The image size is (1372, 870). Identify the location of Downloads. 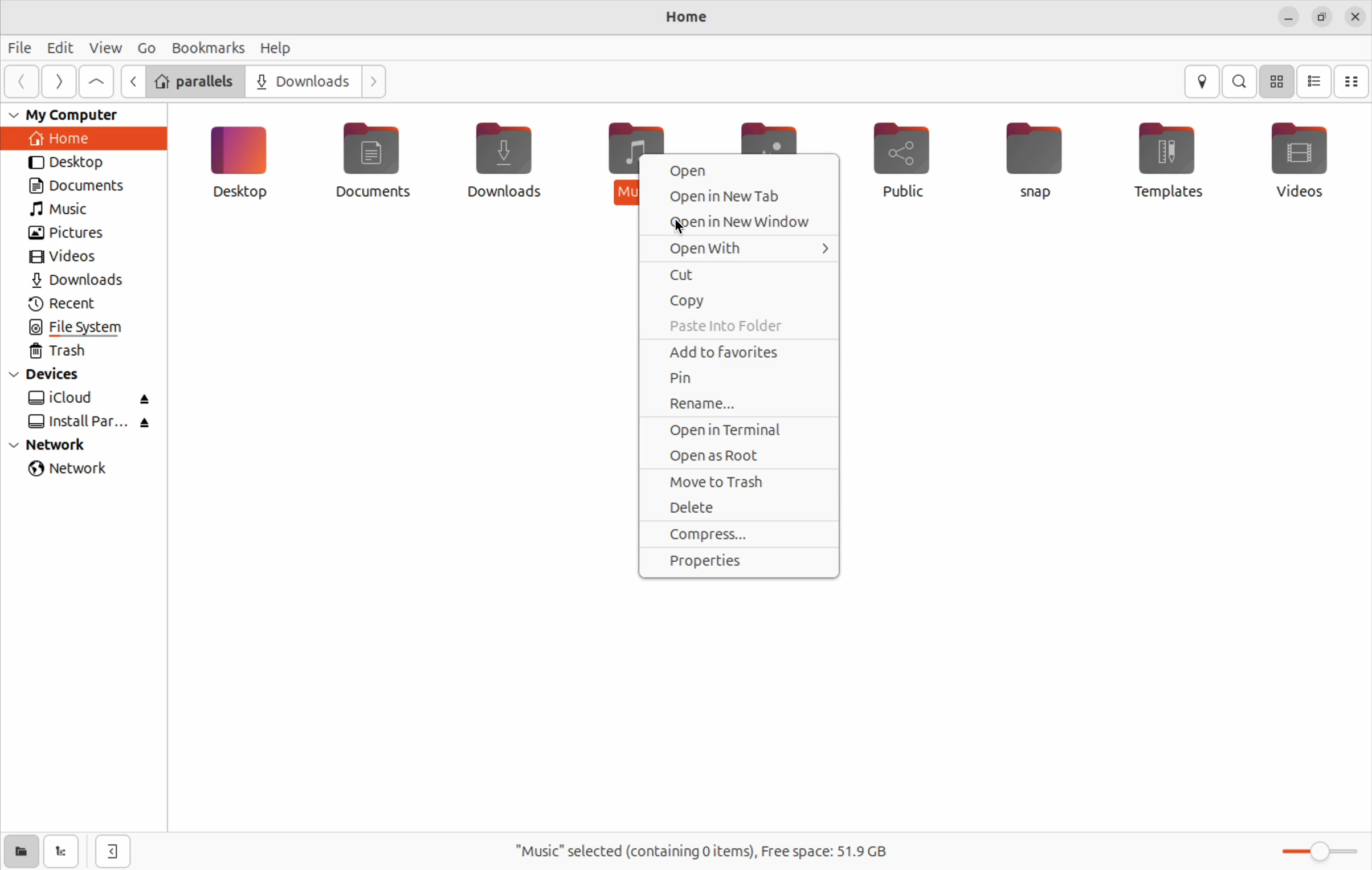
(304, 82).